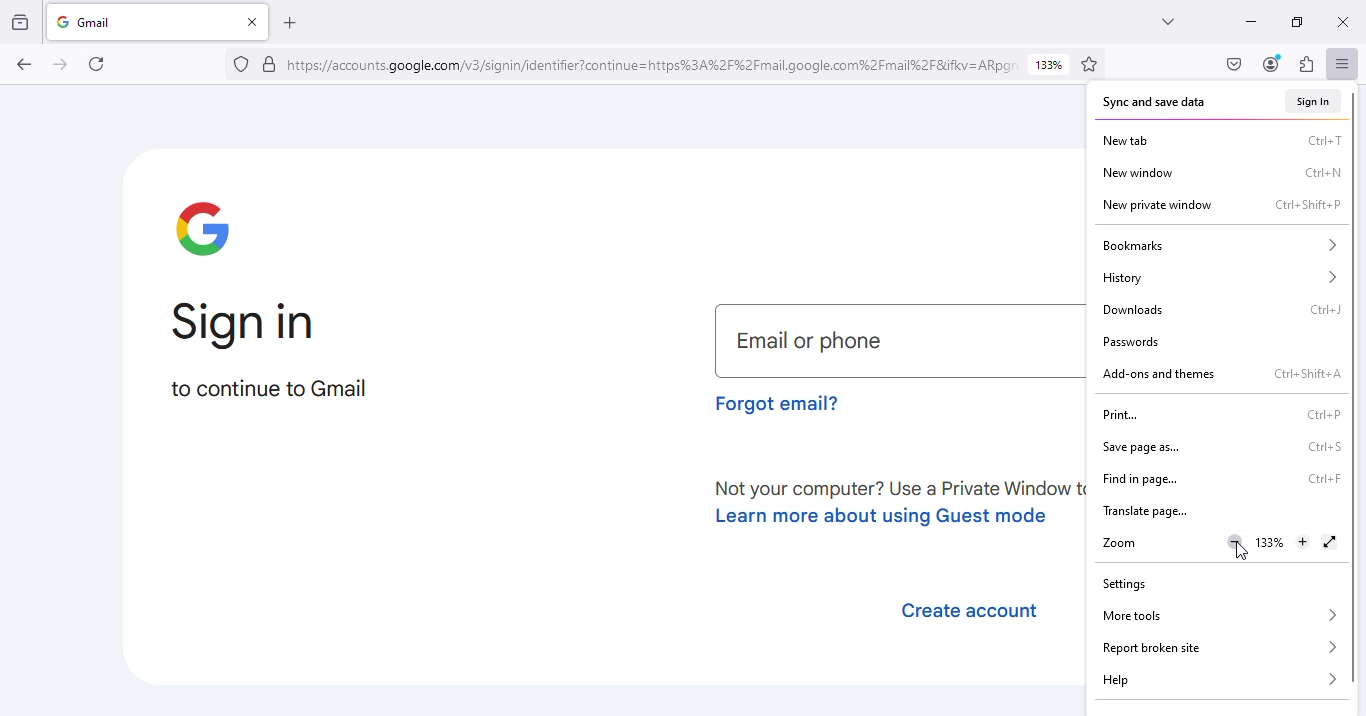  I want to click on bookmark this page, so click(1090, 64).